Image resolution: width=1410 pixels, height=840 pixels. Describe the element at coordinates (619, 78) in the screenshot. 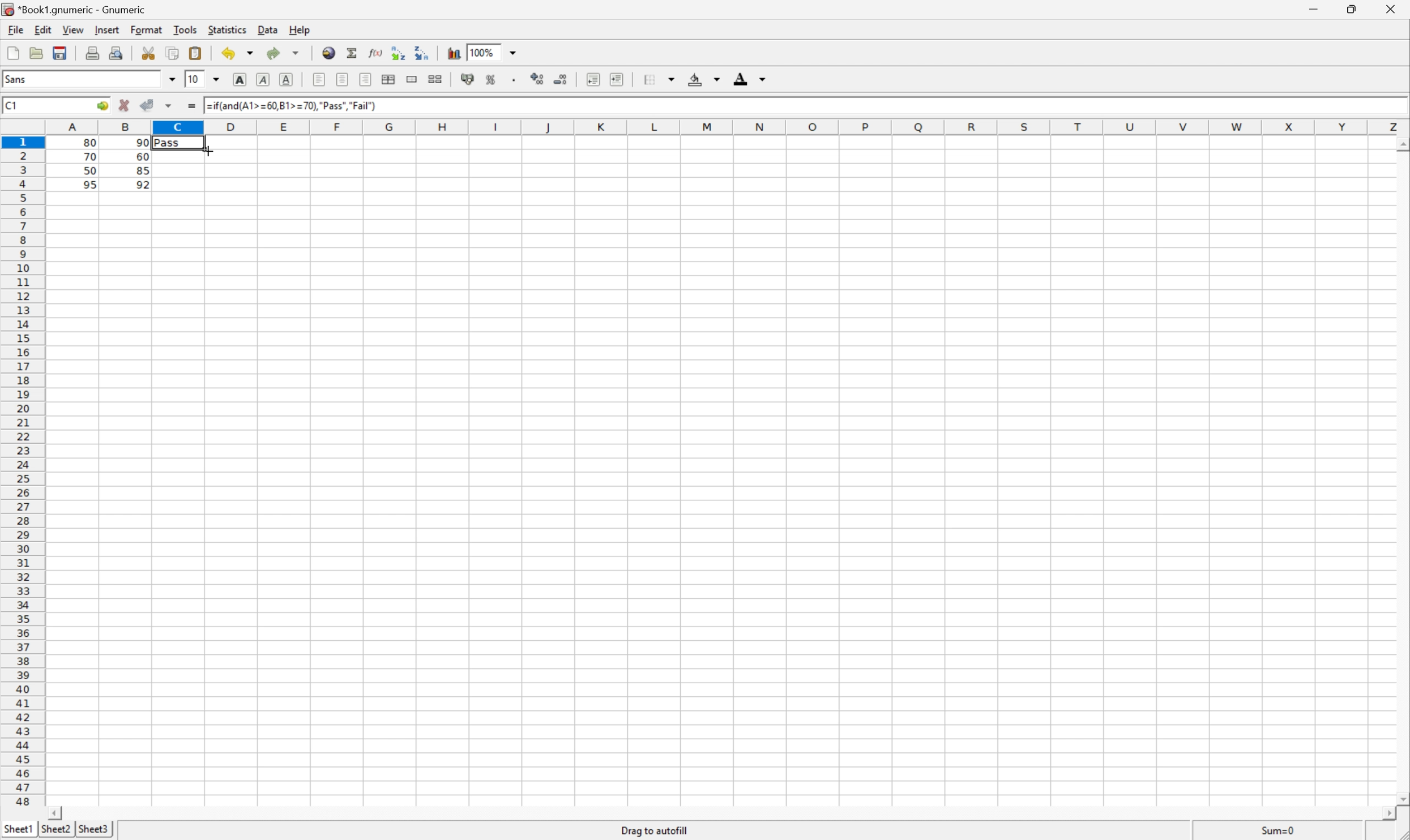

I see `Increase indent, and align the contents to the left` at that location.